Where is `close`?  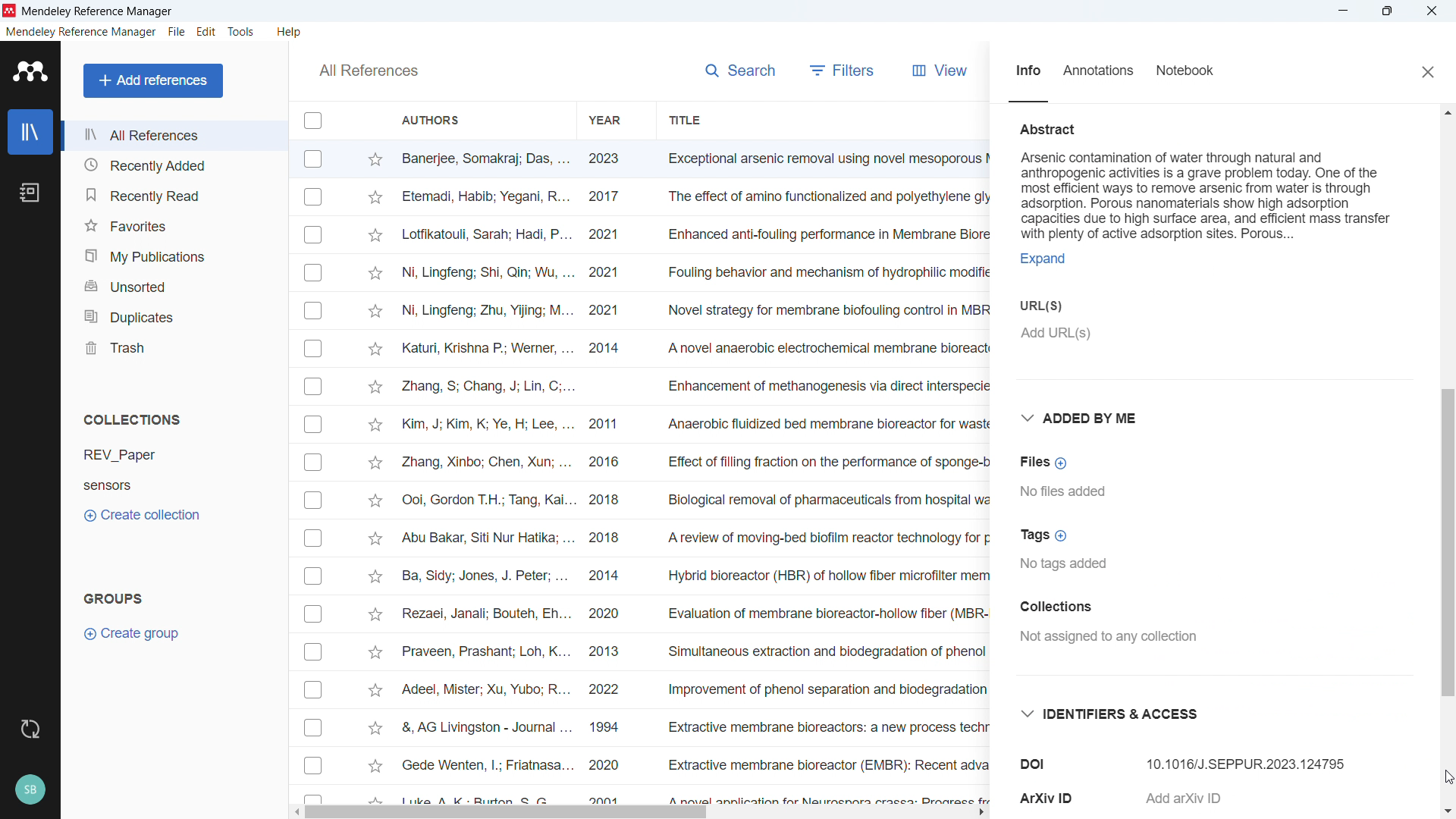 close is located at coordinates (1426, 71).